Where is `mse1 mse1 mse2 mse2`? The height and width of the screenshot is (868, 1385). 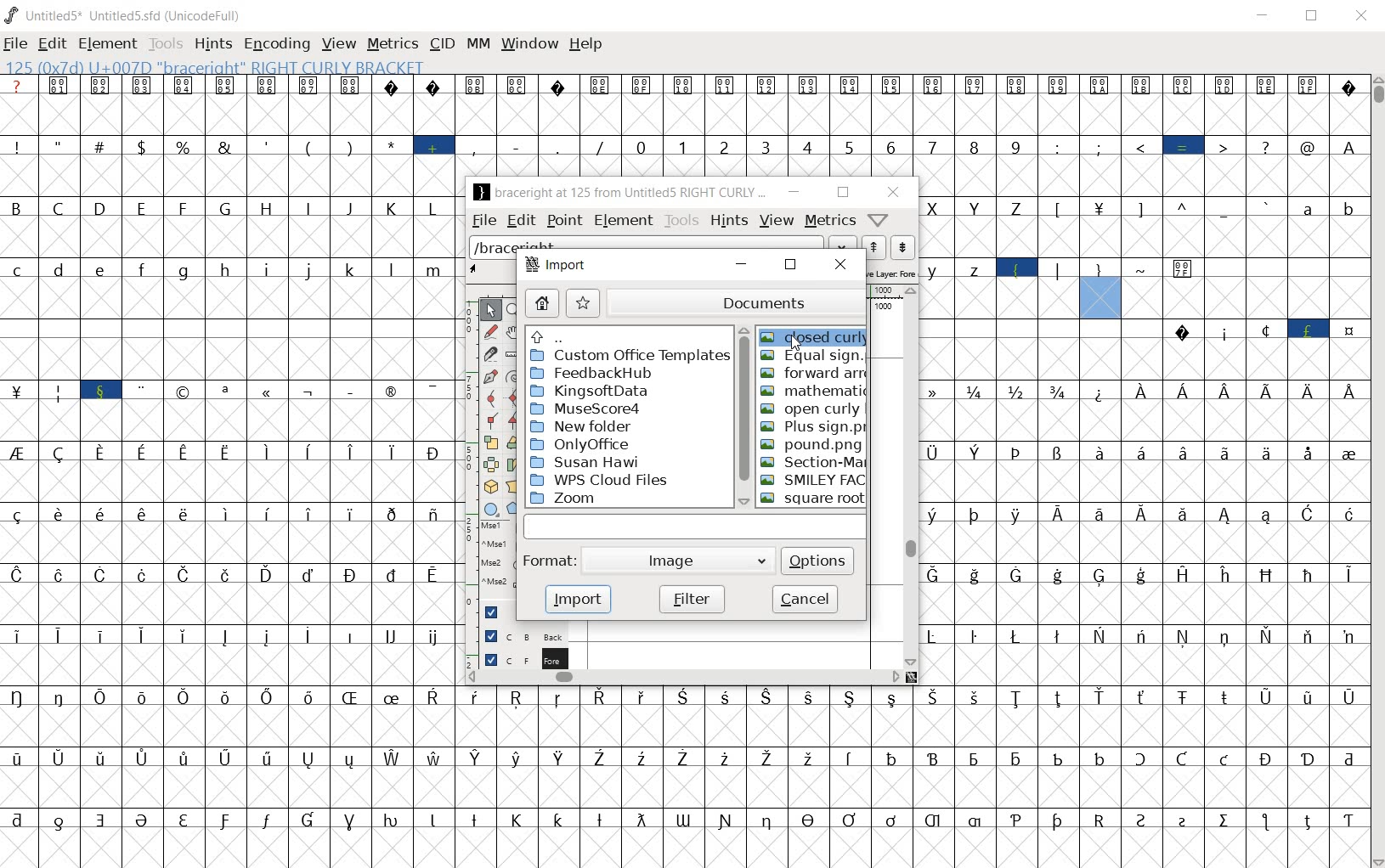
mse1 mse1 mse2 mse2 is located at coordinates (489, 557).